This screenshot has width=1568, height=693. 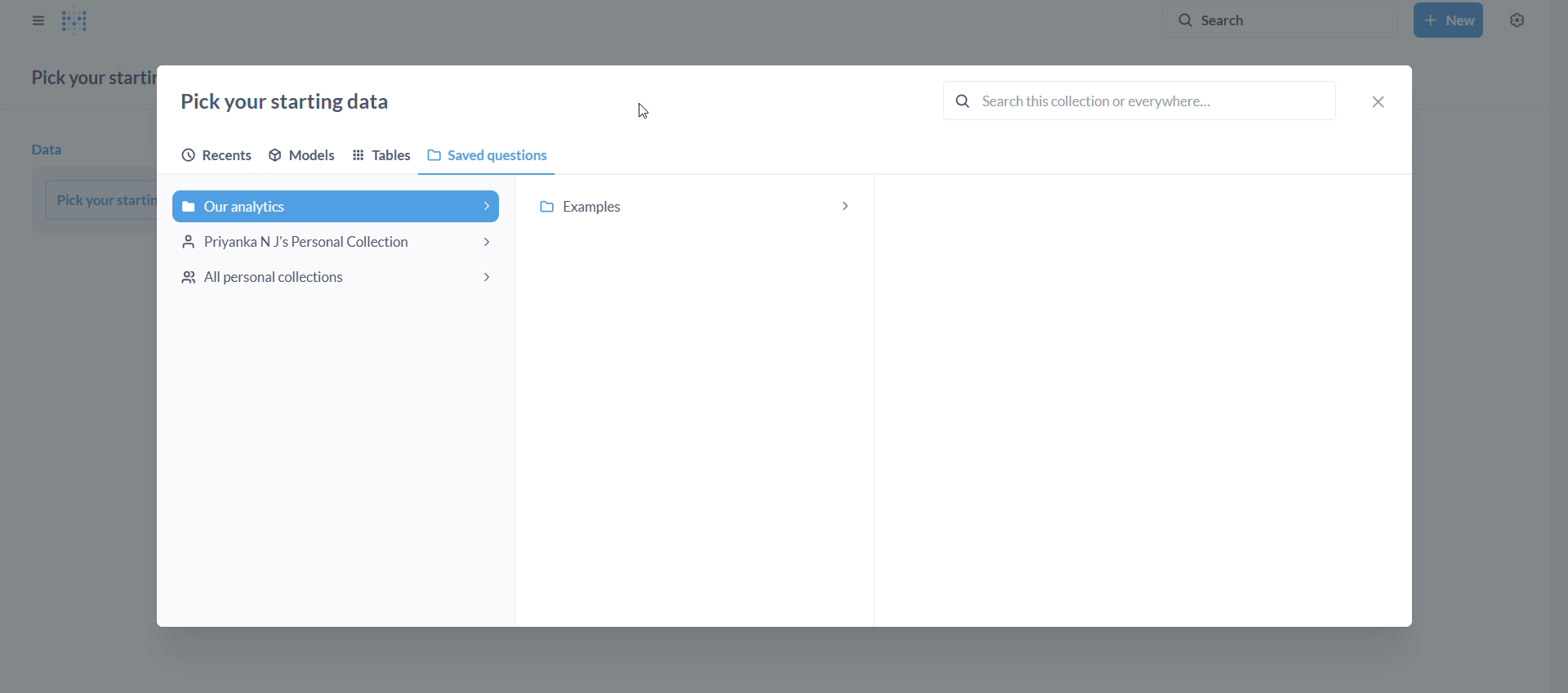 What do you see at coordinates (51, 150) in the screenshot?
I see `Data` at bounding box center [51, 150].